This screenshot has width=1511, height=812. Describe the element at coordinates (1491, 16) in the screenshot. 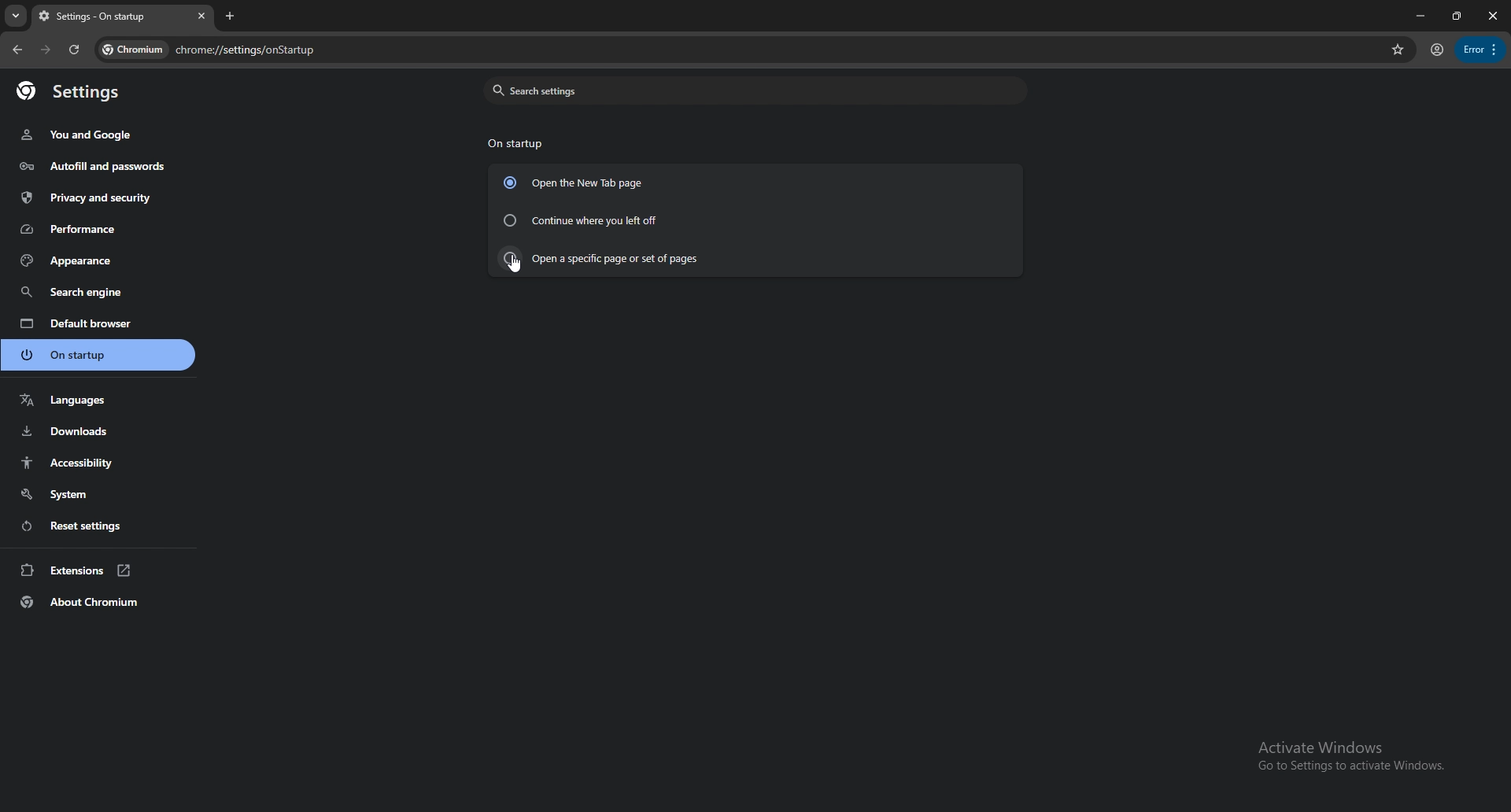

I see `close` at that location.